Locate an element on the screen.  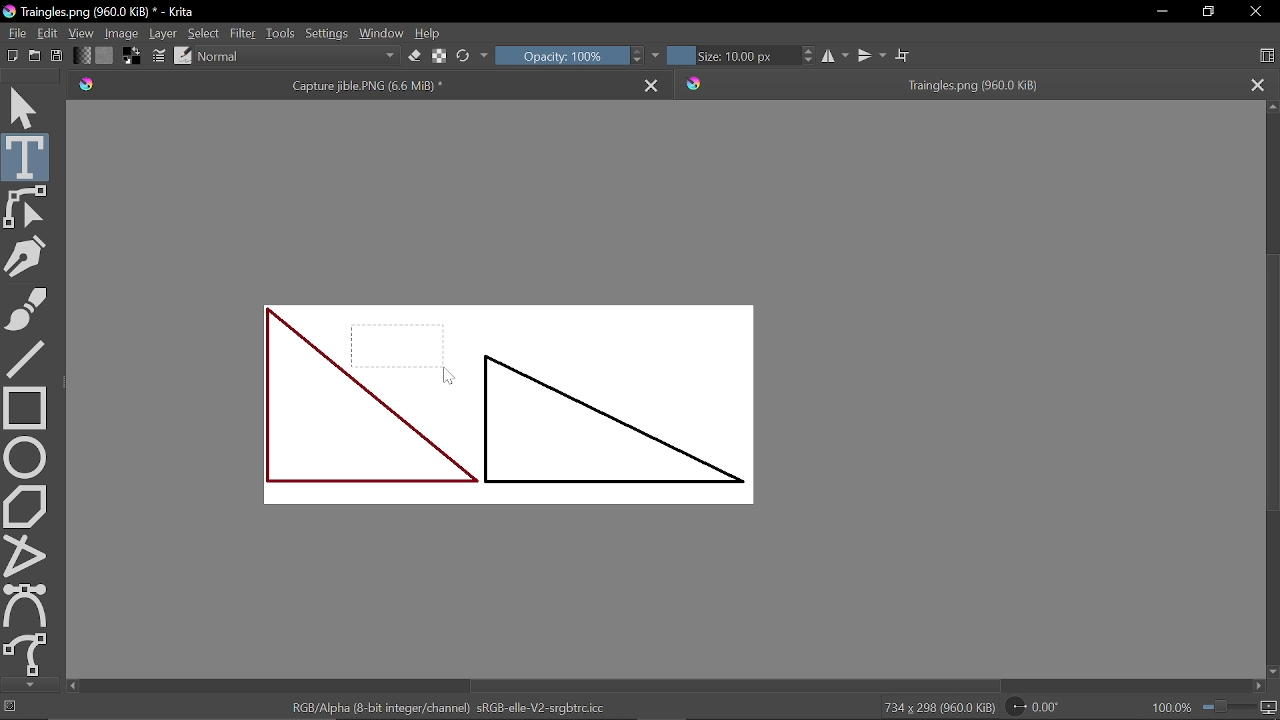
logo is located at coordinates (8, 12).